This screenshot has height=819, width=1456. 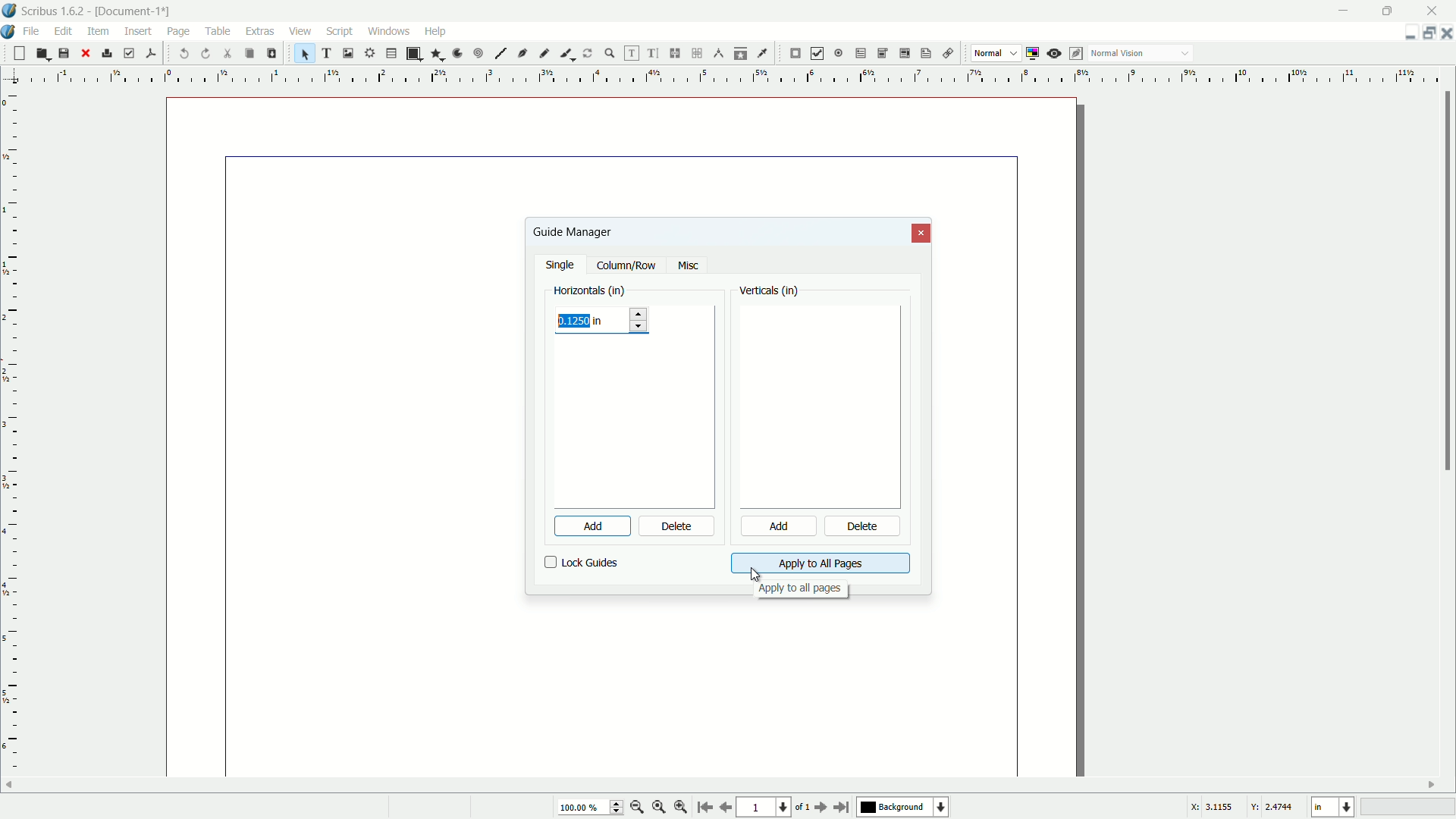 I want to click on app icon, so click(x=9, y=11).